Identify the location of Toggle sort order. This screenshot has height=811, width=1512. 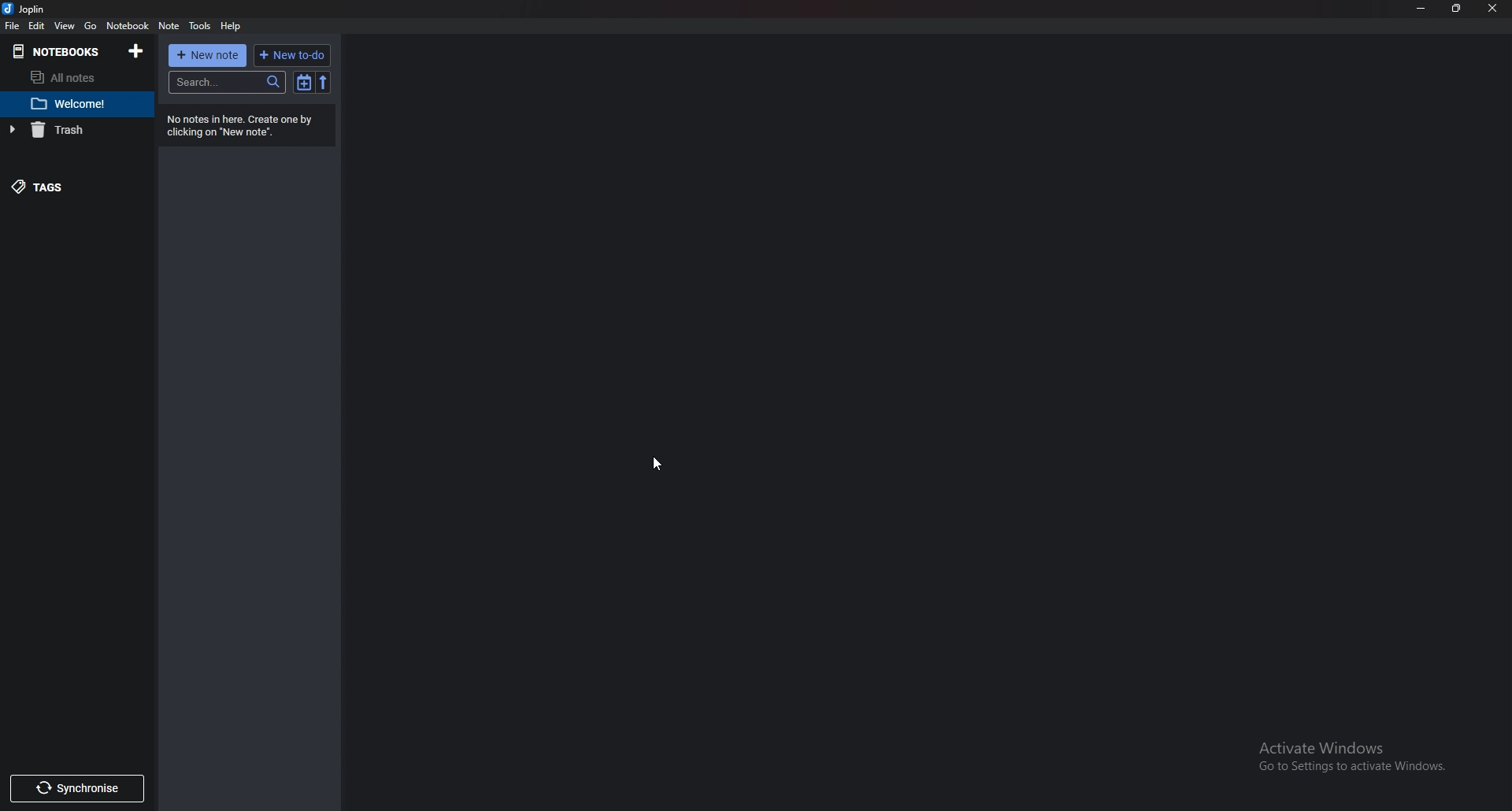
(304, 82).